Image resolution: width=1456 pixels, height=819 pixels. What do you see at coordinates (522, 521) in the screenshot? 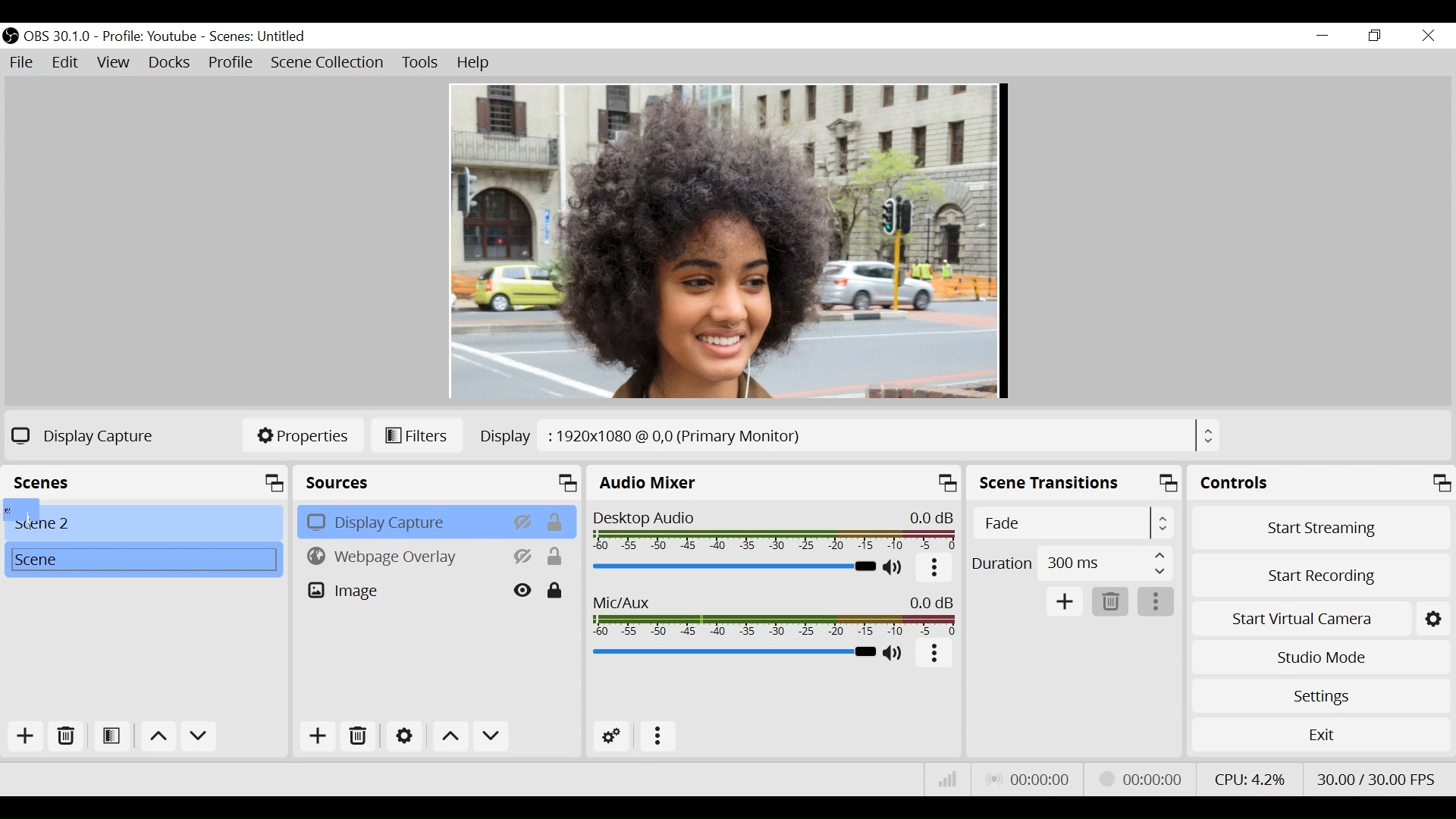
I see `Hide/Display` at bounding box center [522, 521].